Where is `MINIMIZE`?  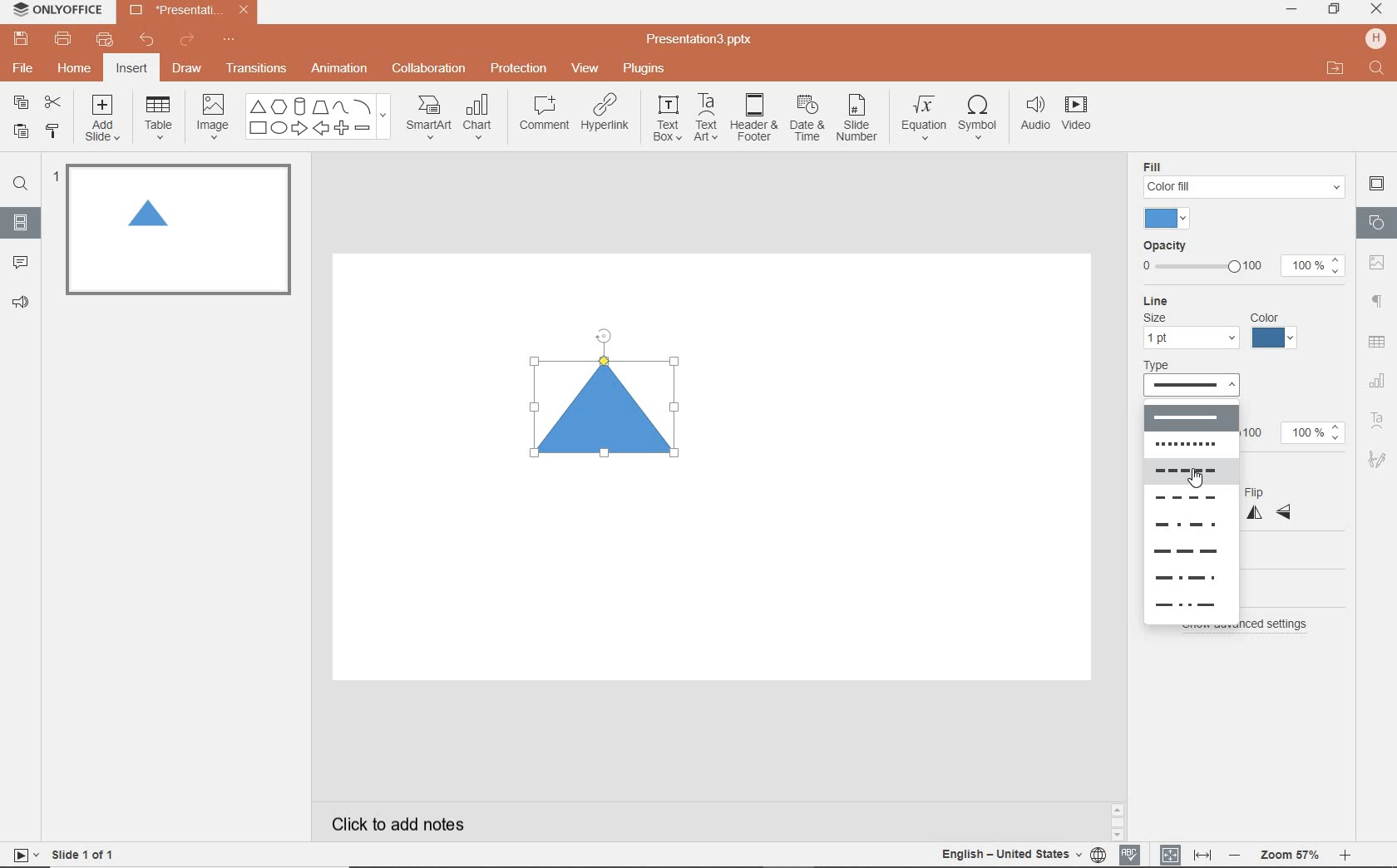 MINIMIZE is located at coordinates (1291, 10).